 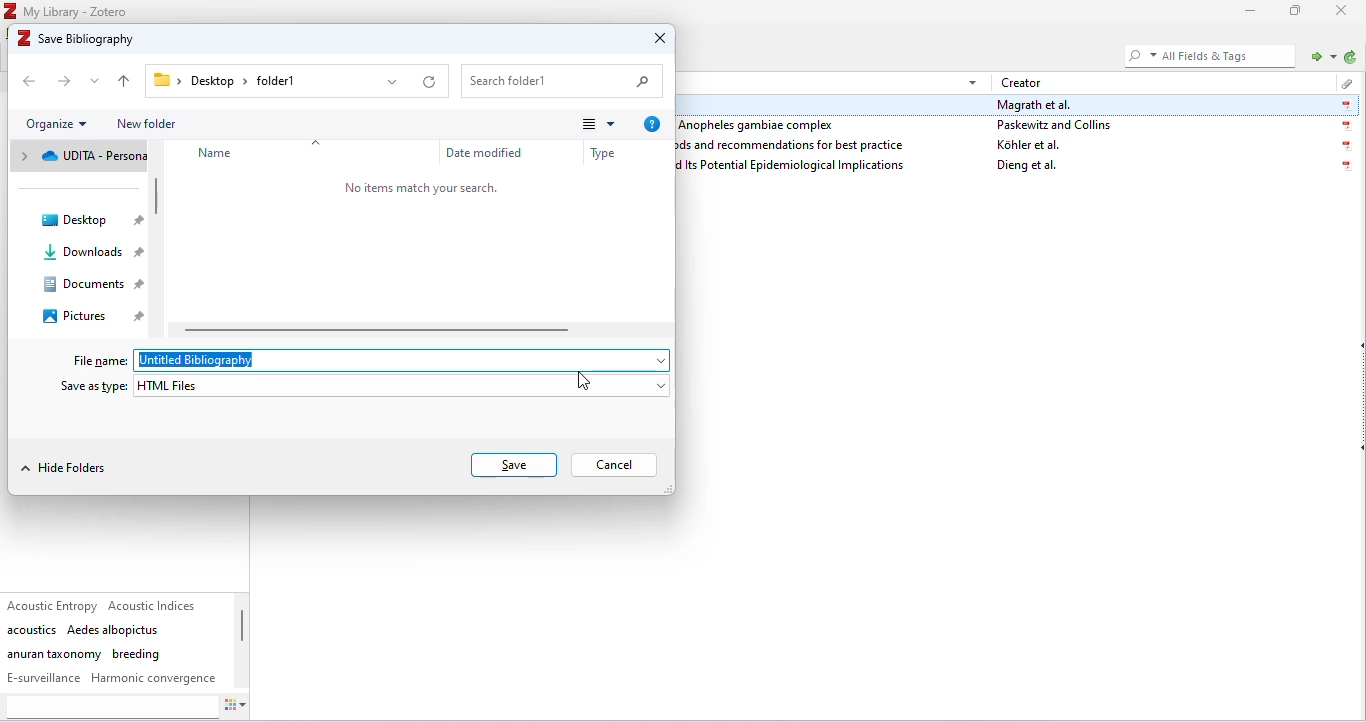 What do you see at coordinates (229, 155) in the screenshot?
I see `name` at bounding box center [229, 155].